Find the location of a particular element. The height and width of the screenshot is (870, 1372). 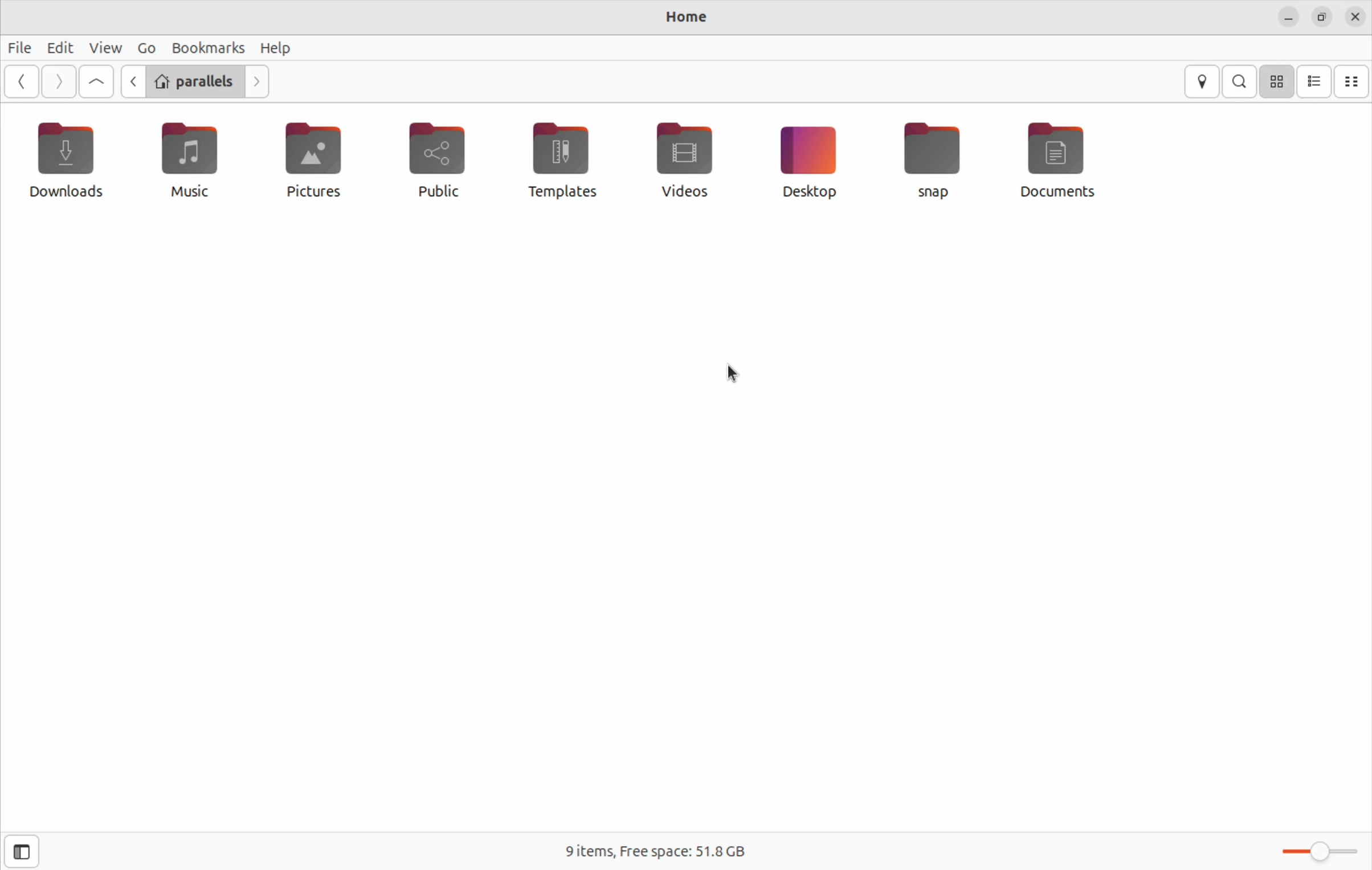

Go previous is located at coordinates (132, 81).